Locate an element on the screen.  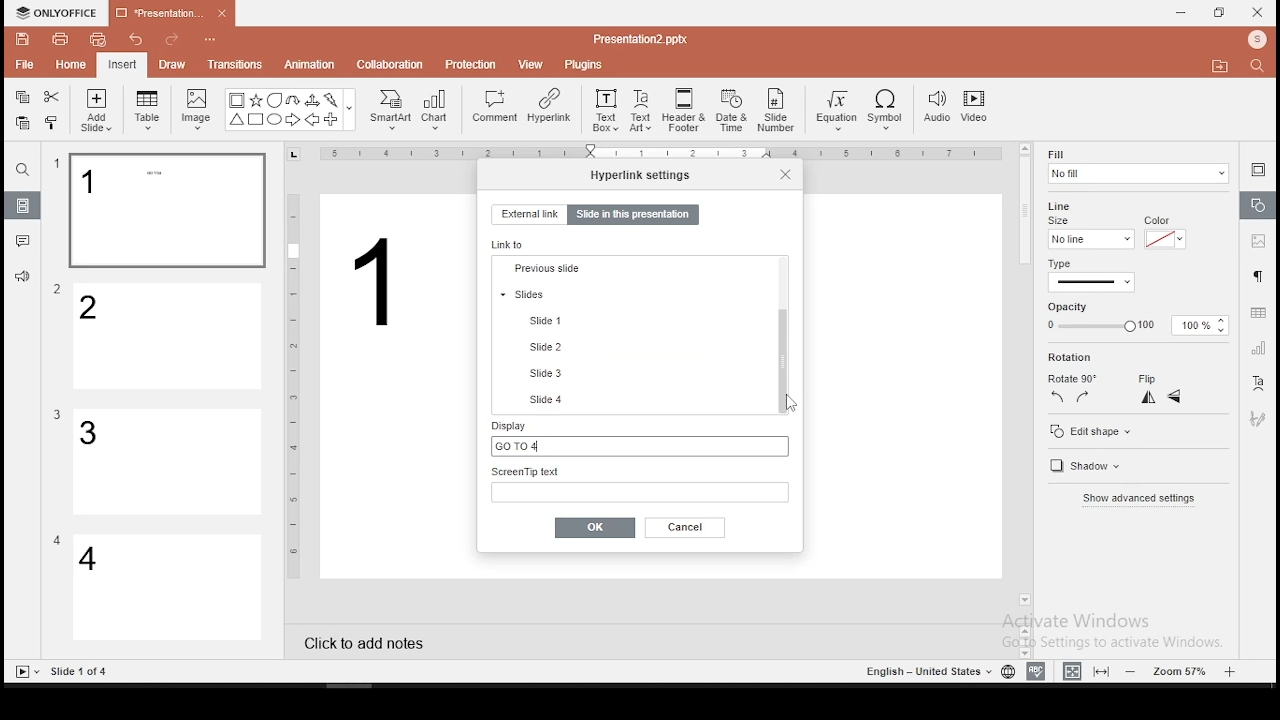
add slide is located at coordinates (96, 110).